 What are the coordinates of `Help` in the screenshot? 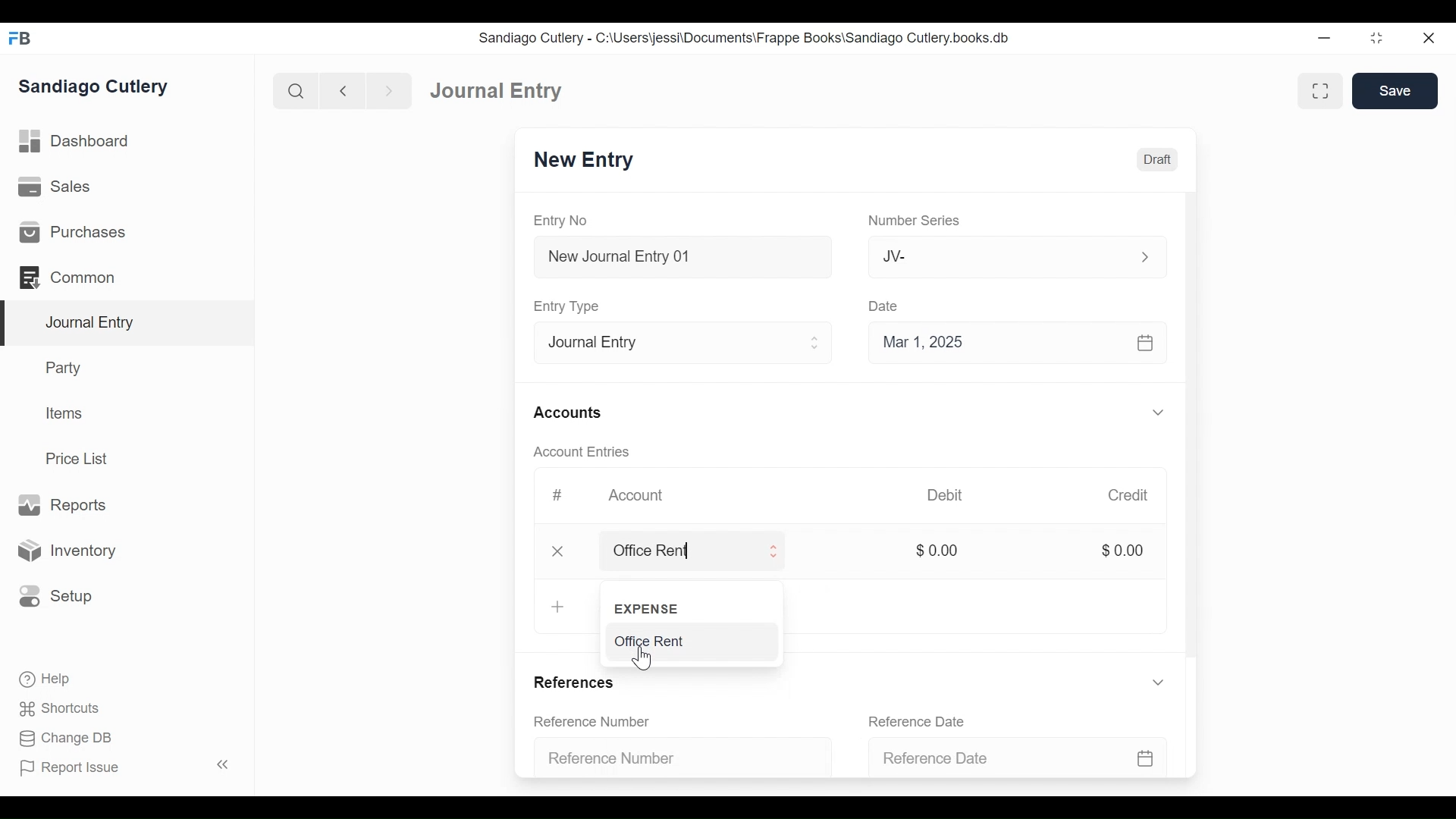 It's located at (38, 680).